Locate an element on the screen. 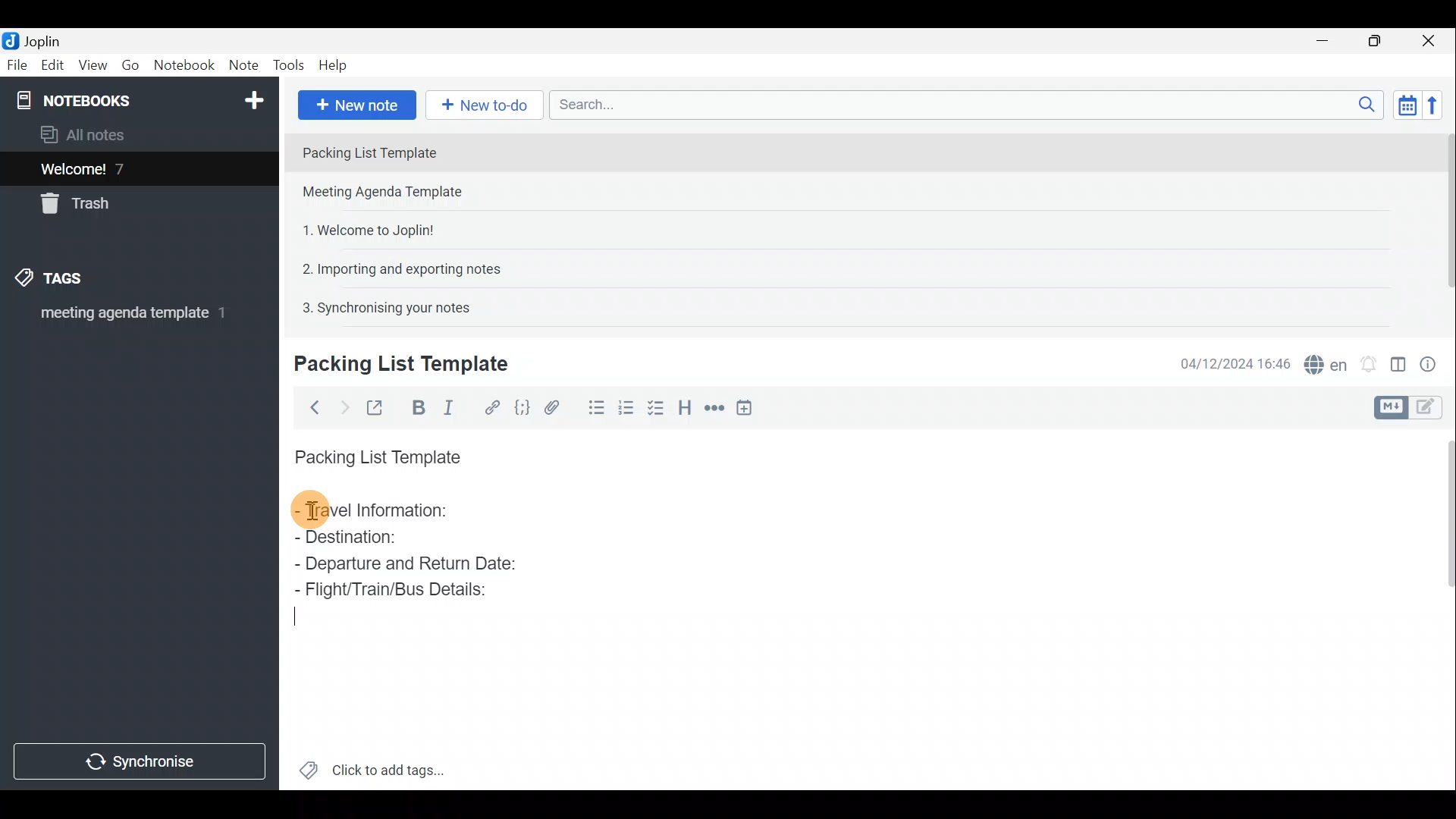 This screenshot has width=1456, height=819. Toggle external editing is located at coordinates (376, 406).